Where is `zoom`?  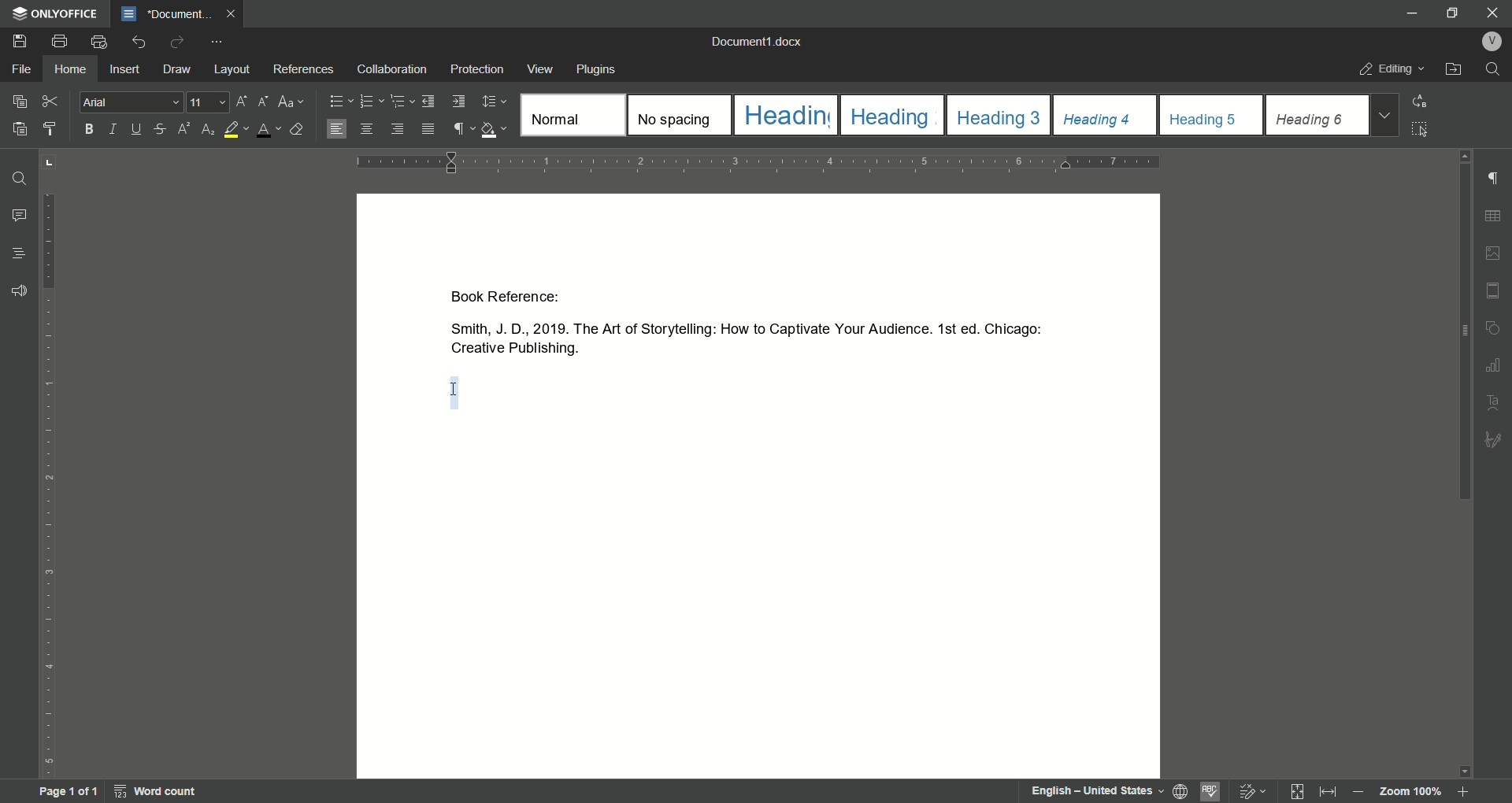
zoom is located at coordinates (1417, 793).